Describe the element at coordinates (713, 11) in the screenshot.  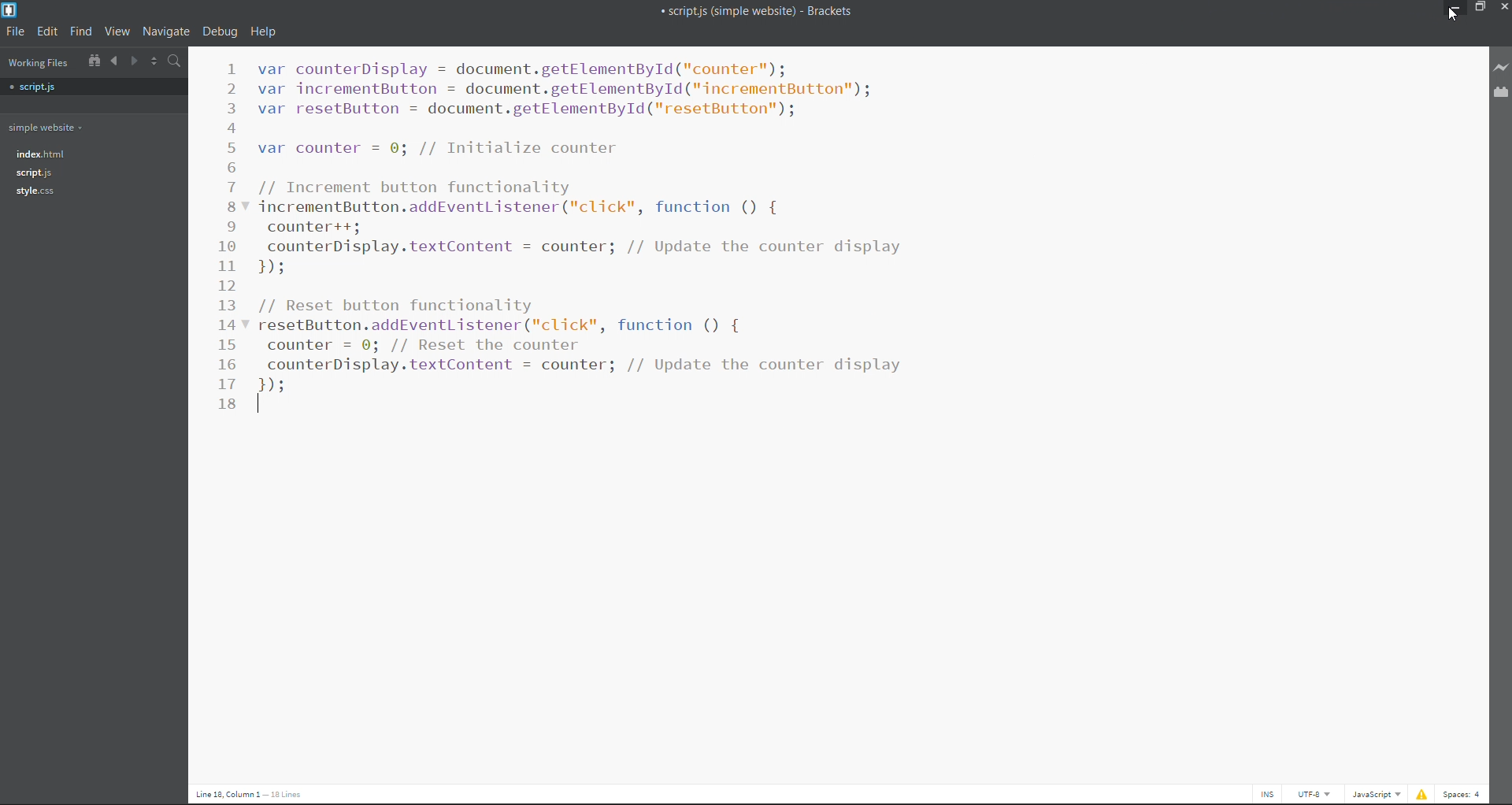
I see `script.js(simple website) brackets` at that location.